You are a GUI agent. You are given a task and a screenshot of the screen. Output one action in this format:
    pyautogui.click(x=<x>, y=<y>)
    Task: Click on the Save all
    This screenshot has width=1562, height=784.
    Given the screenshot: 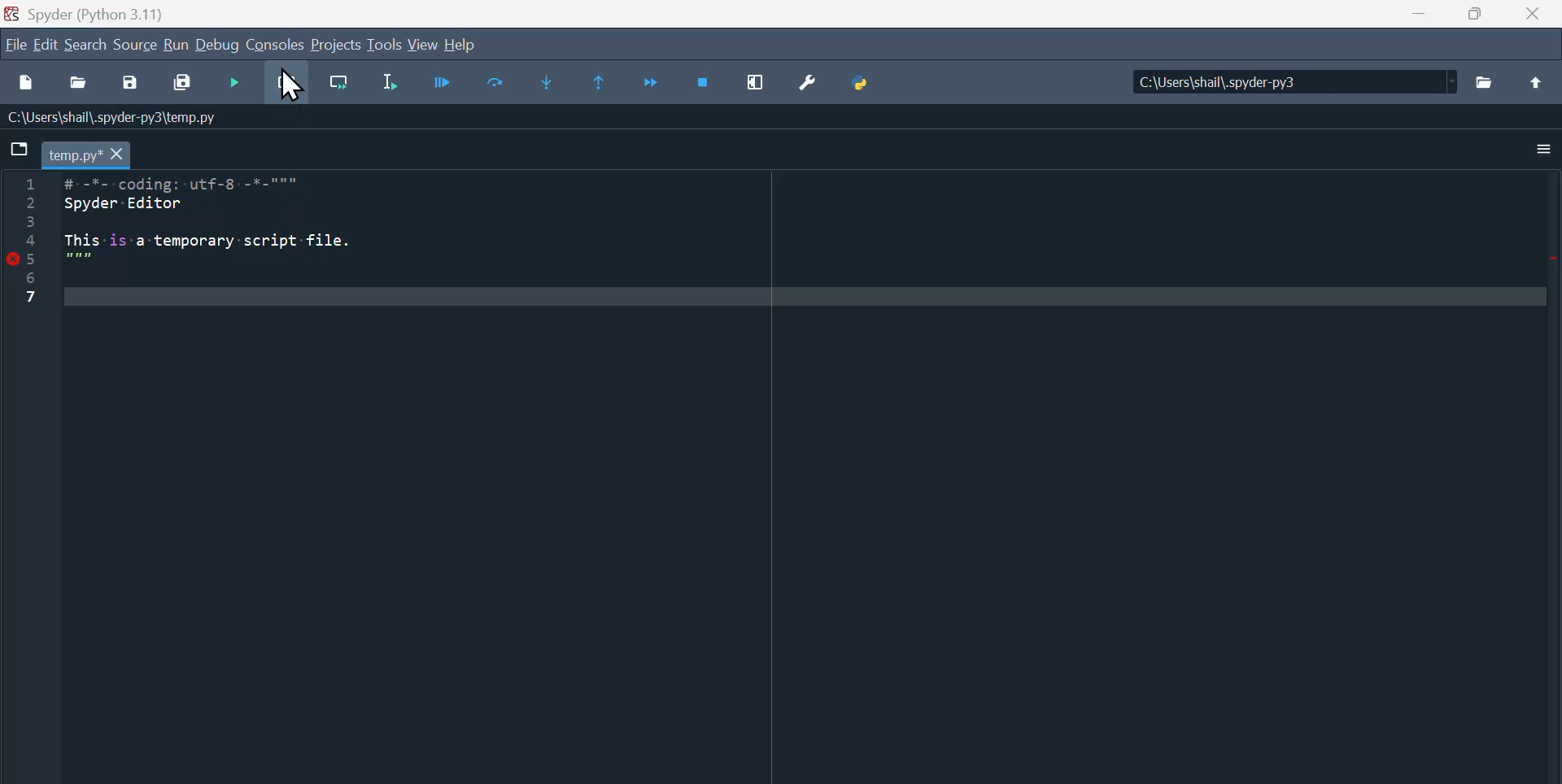 What is the action you would take?
    pyautogui.click(x=183, y=85)
    